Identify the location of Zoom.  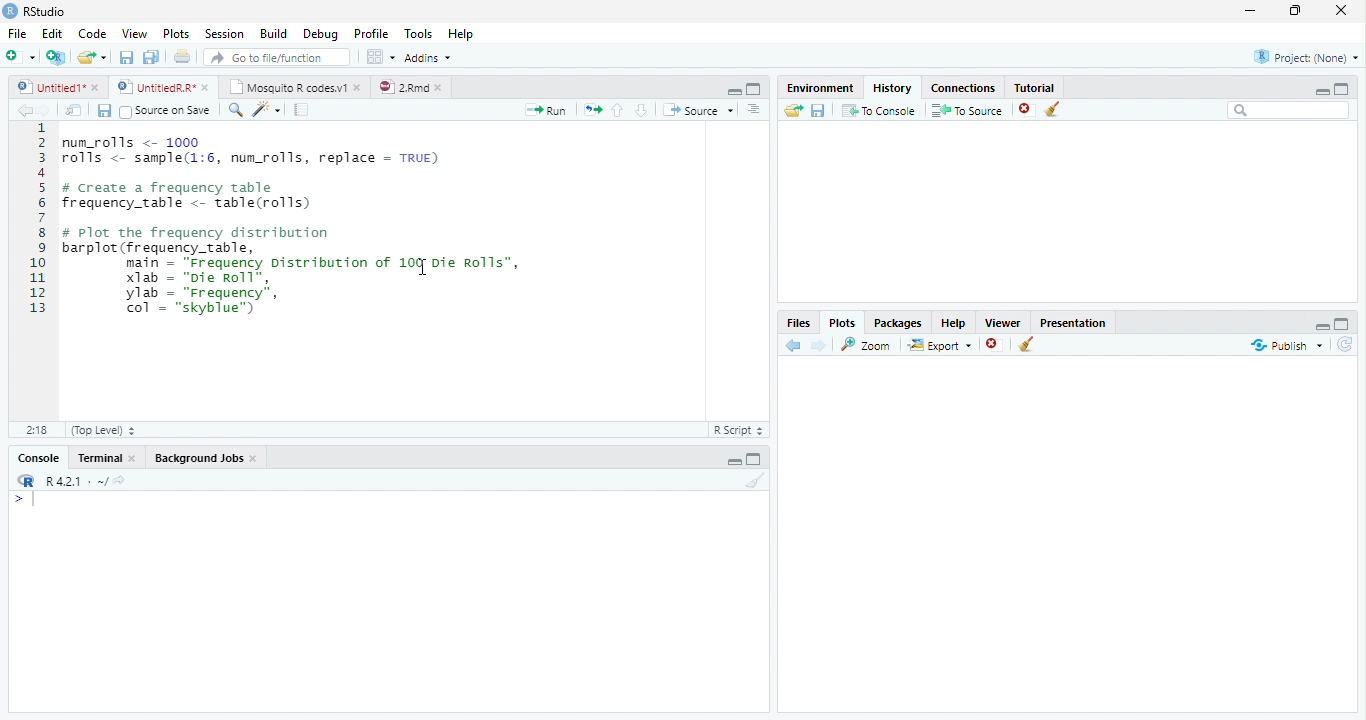
(868, 345).